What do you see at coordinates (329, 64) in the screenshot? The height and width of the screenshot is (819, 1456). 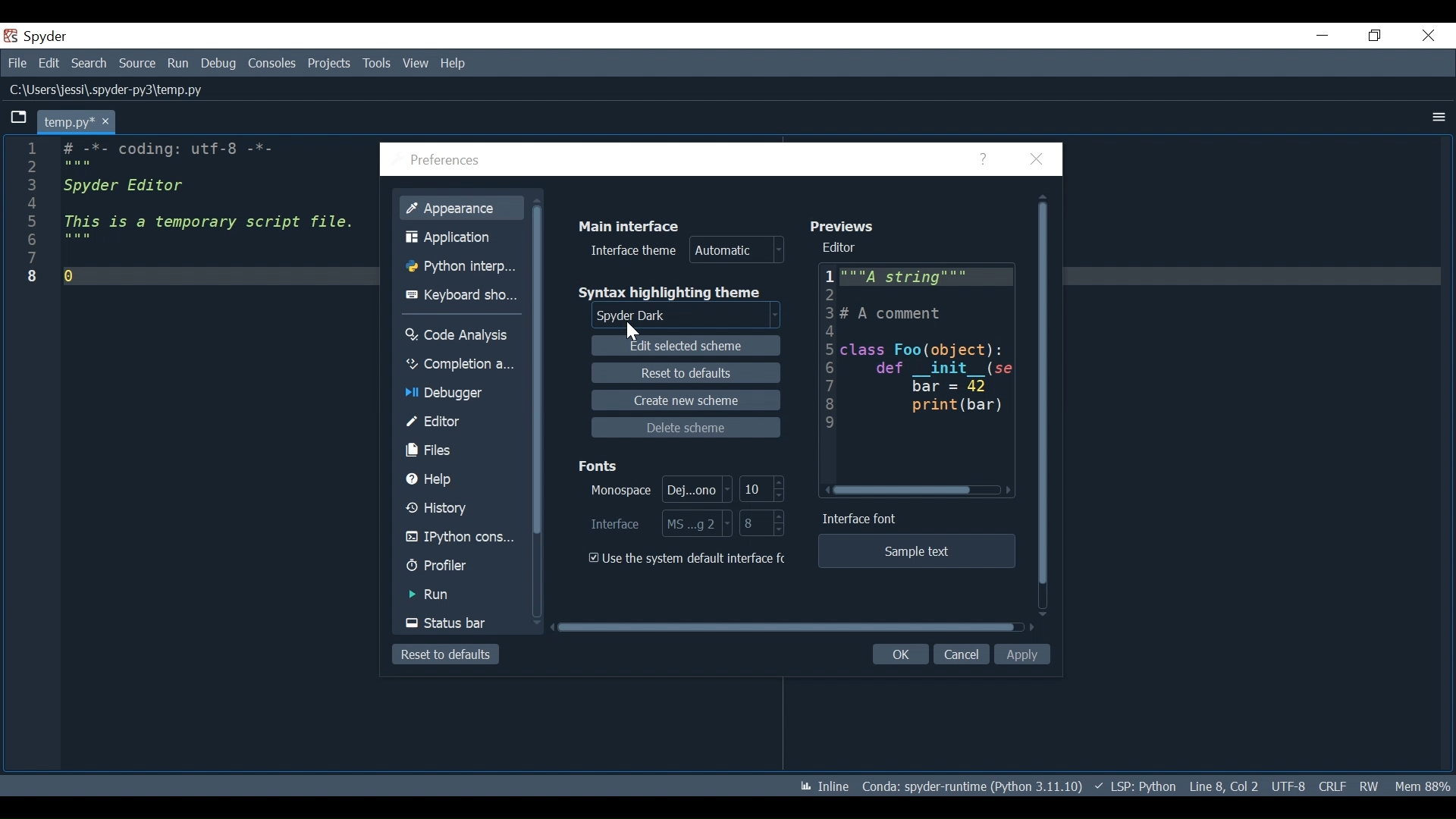 I see `Projects` at bounding box center [329, 64].